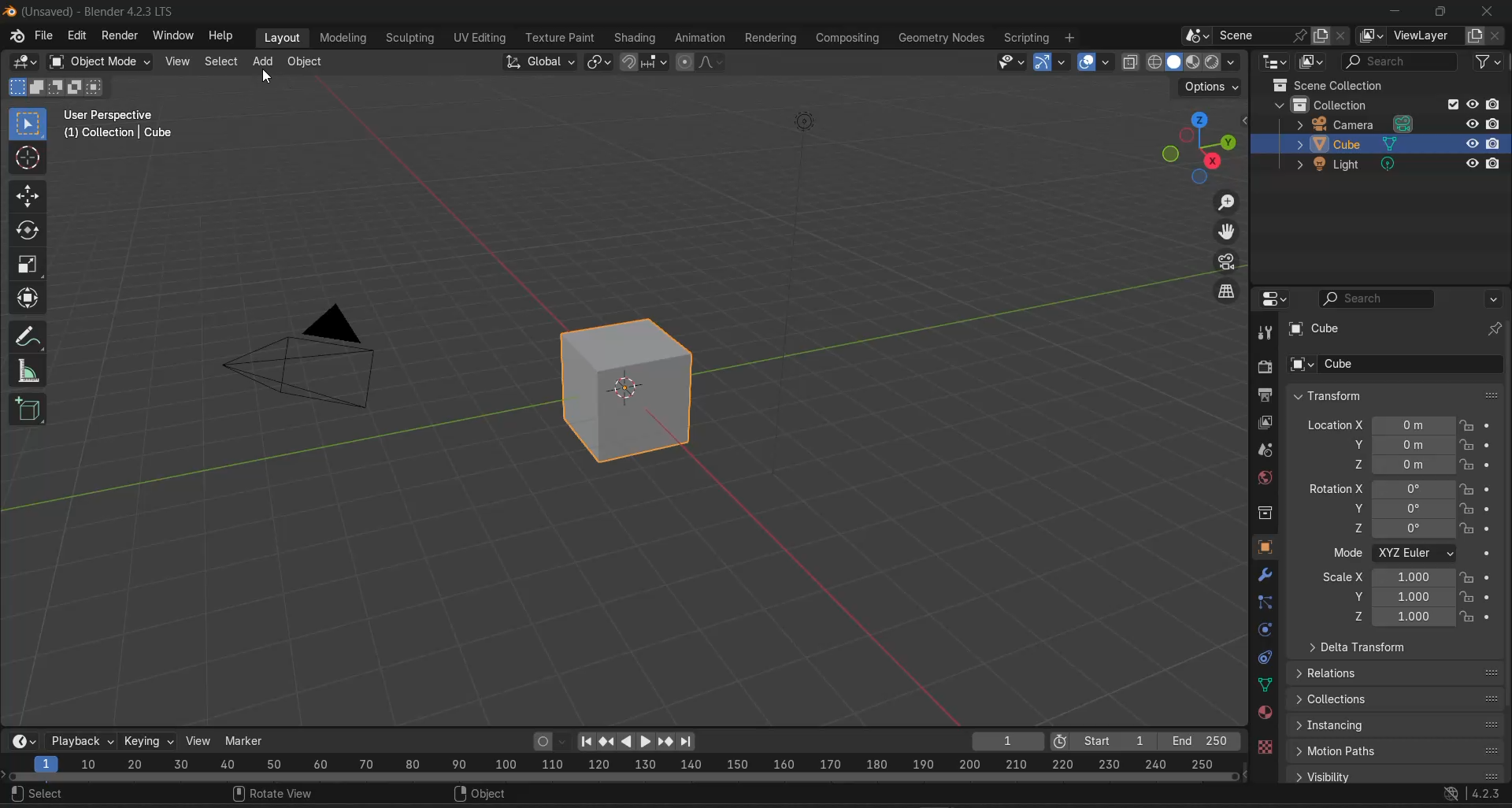 The image size is (1512, 808). What do you see at coordinates (1496, 165) in the screenshot?
I see `disable in renders` at bounding box center [1496, 165].